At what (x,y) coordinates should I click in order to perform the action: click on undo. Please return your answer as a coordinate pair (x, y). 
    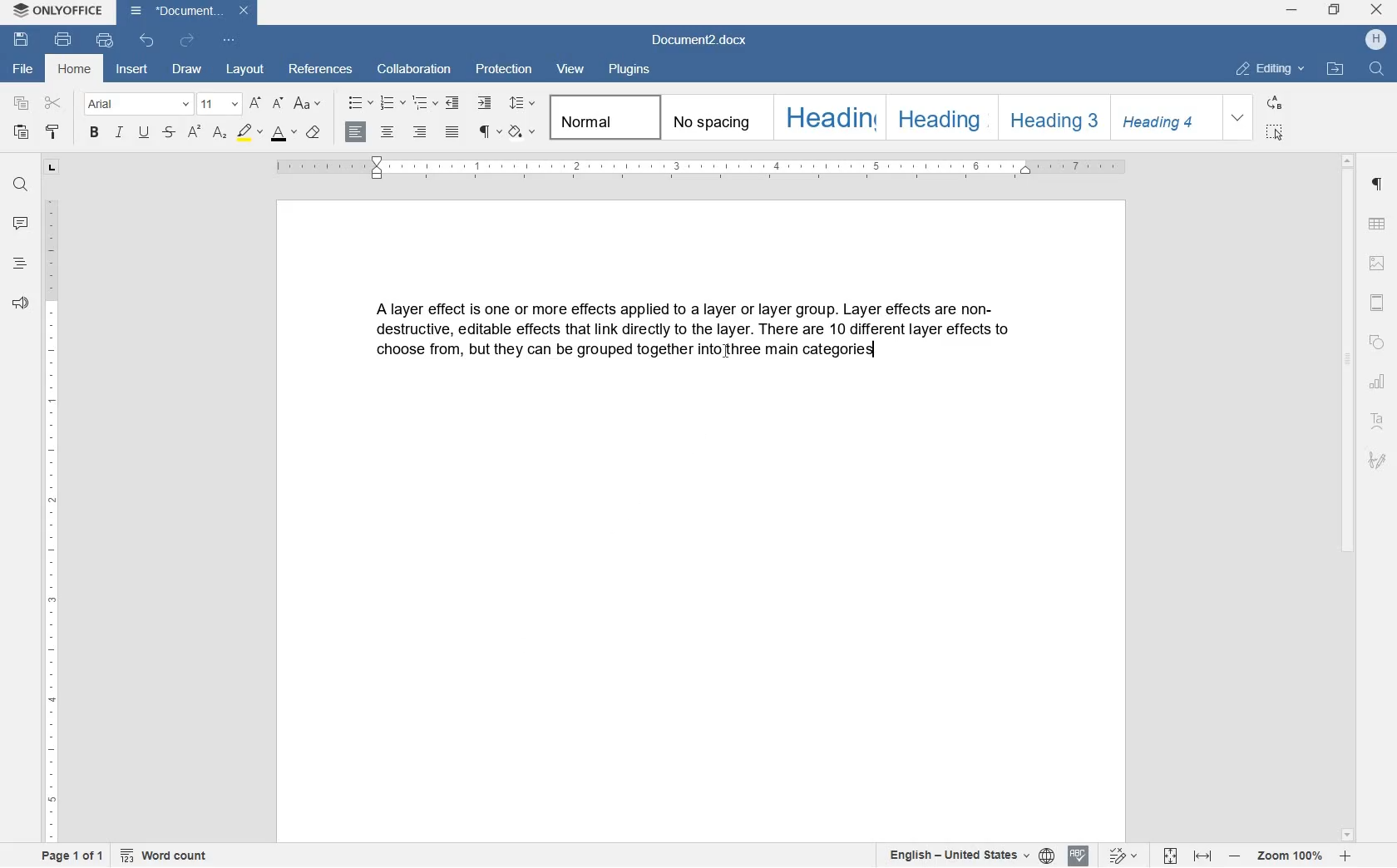
    Looking at the image, I should click on (148, 42).